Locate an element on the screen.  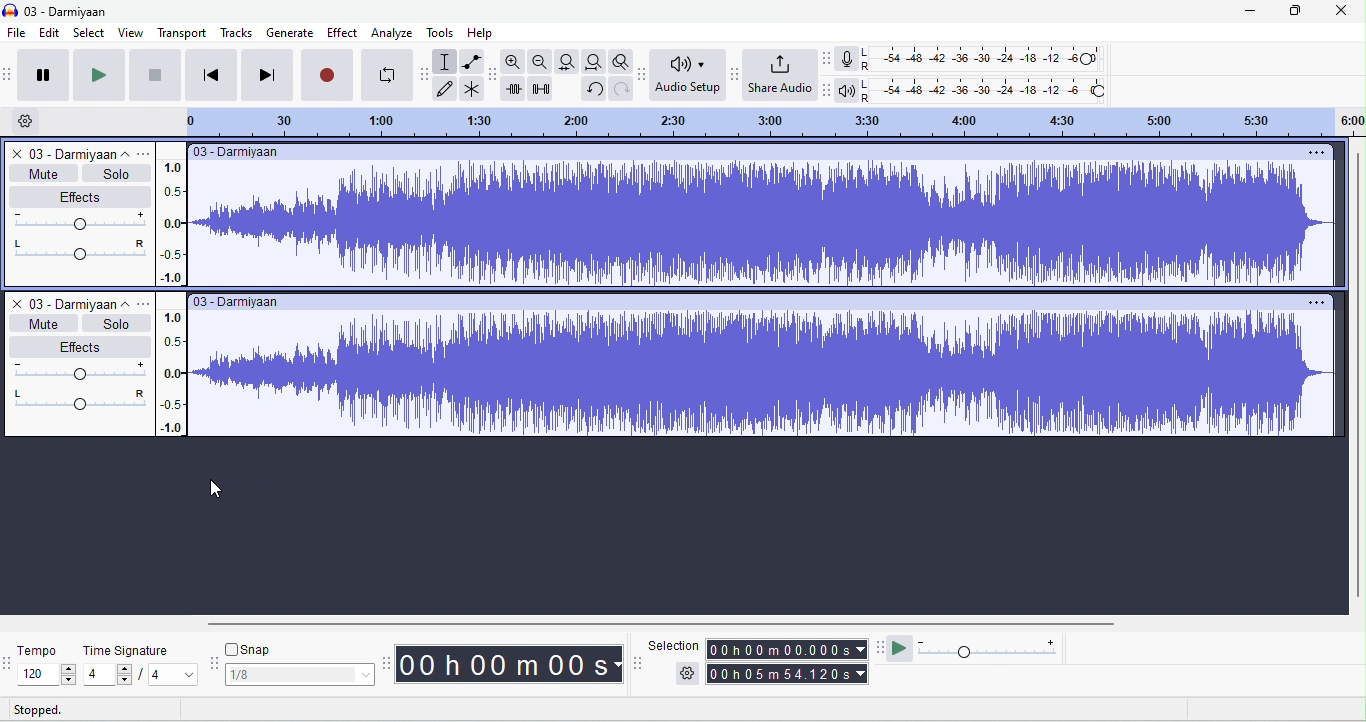
solo is located at coordinates (115, 323).